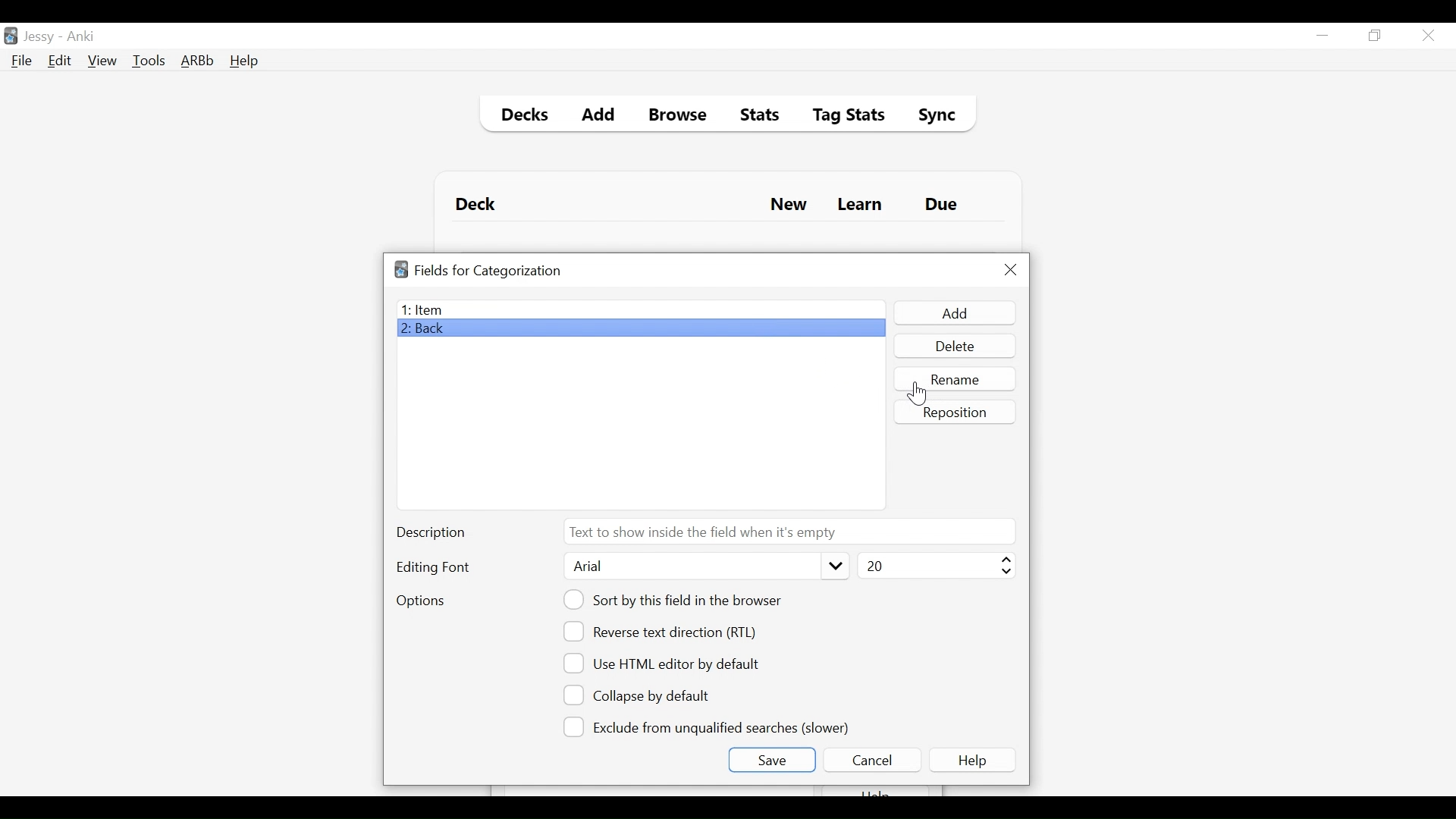 Image resolution: width=1456 pixels, height=819 pixels. Describe the element at coordinates (427, 330) in the screenshot. I see `Back` at that location.